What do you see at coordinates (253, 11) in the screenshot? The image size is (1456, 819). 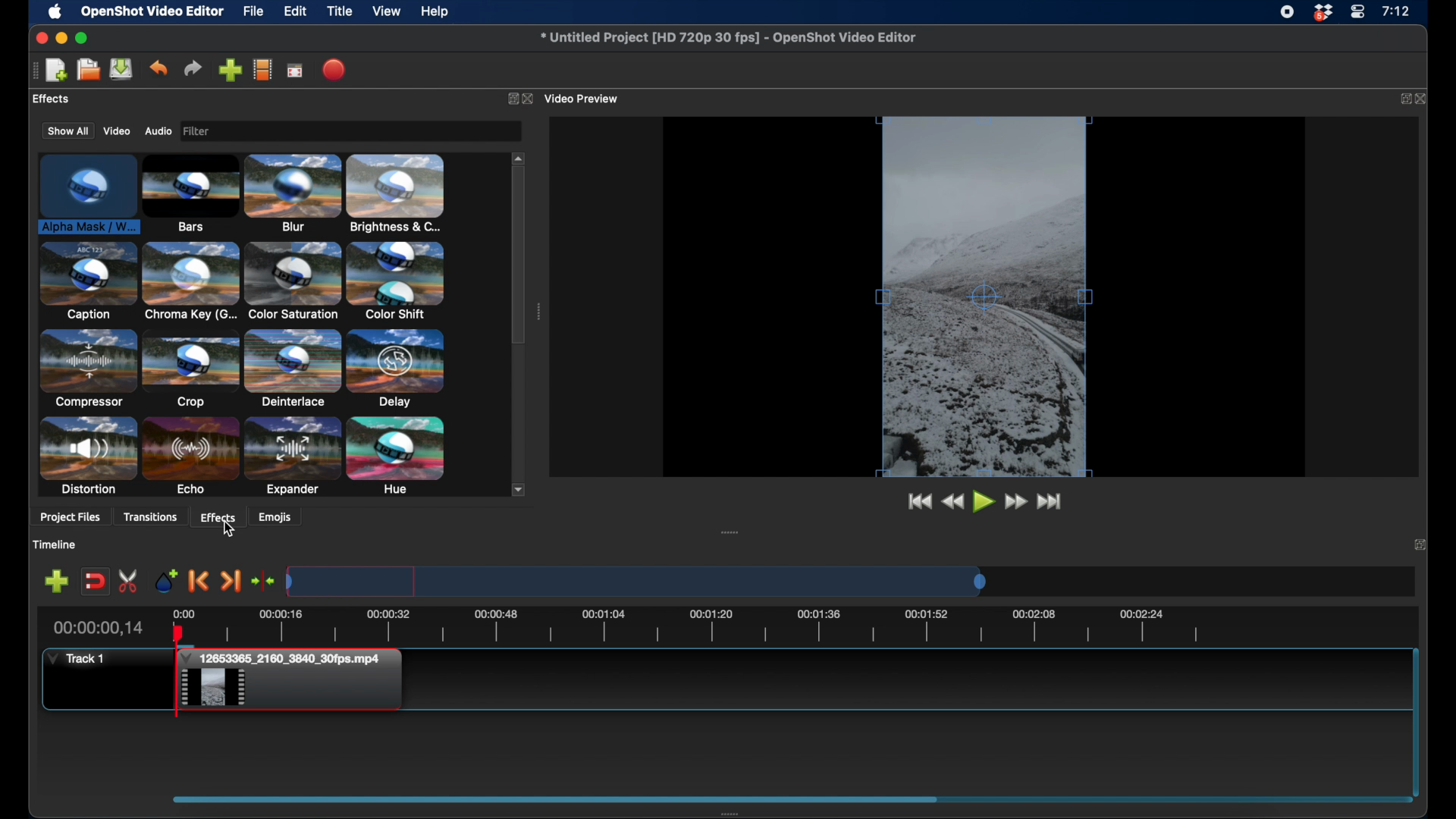 I see `file` at bounding box center [253, 11].